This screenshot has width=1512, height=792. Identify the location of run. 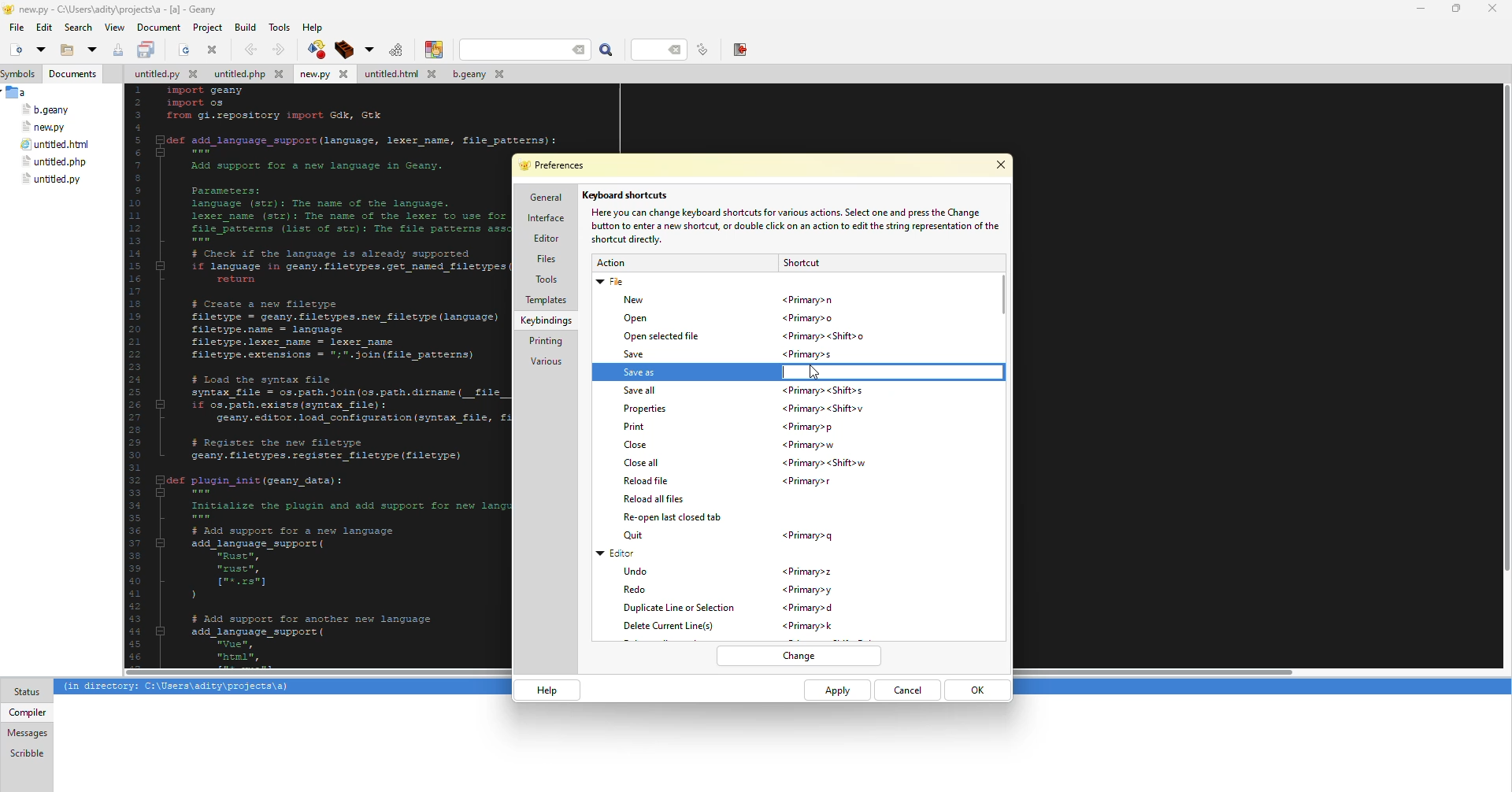
(394, 50).